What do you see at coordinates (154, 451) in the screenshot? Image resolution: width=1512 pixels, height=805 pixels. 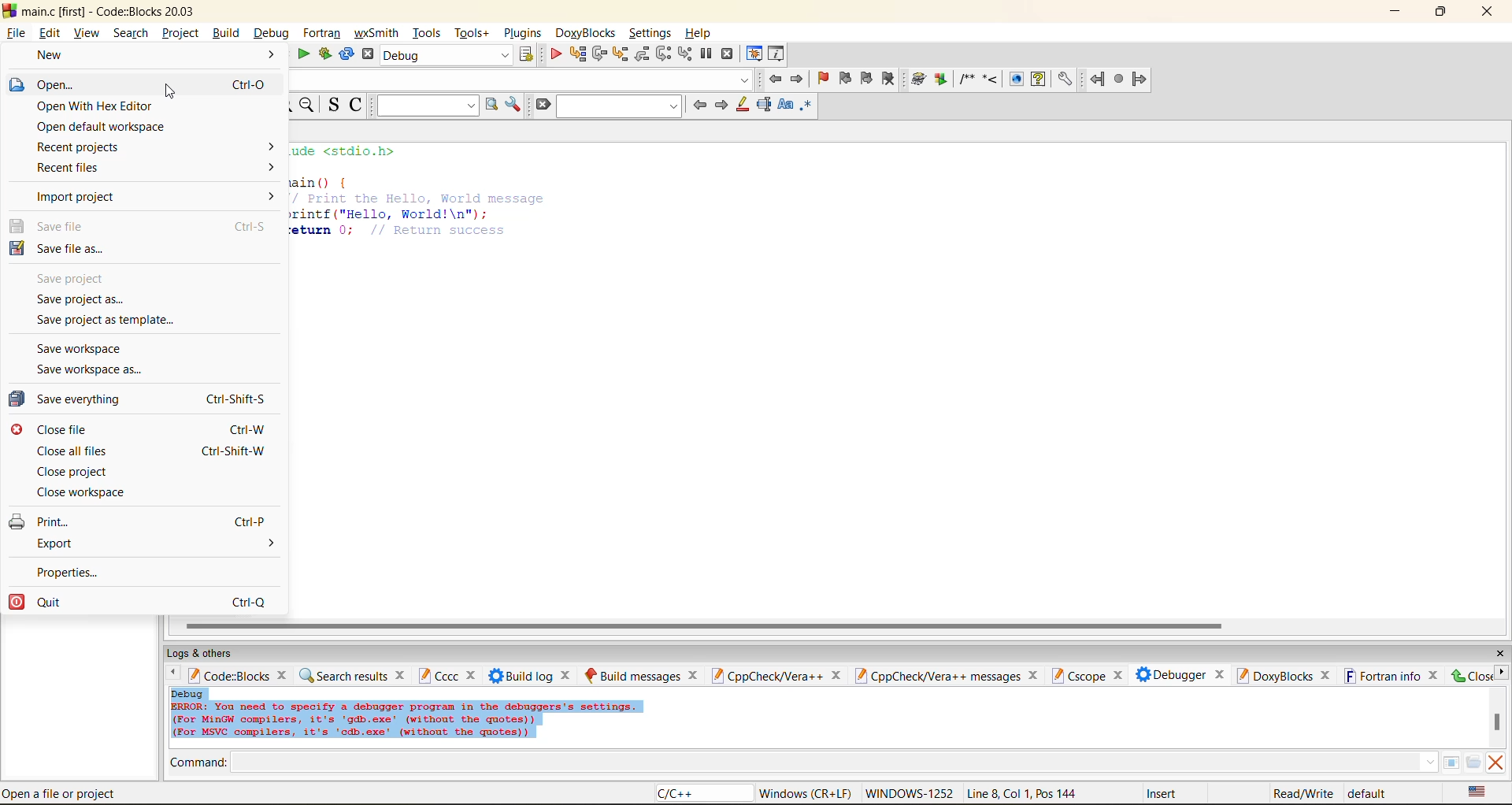 I see `close all files` at bounding box center [154, 451].